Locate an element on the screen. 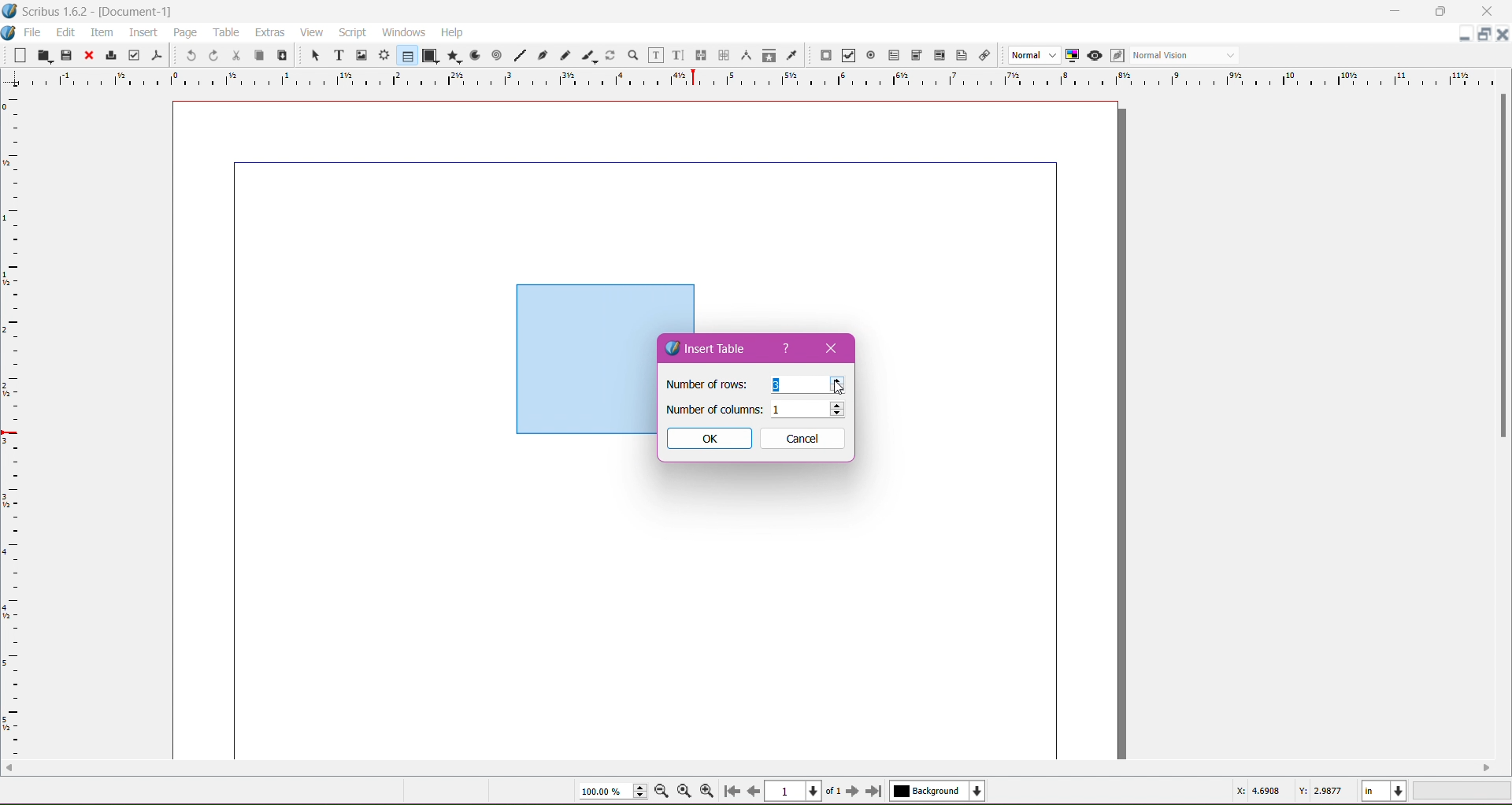 The height and width of the screenshot is (805, 1512). cursor is located at coordinates (835, 386).